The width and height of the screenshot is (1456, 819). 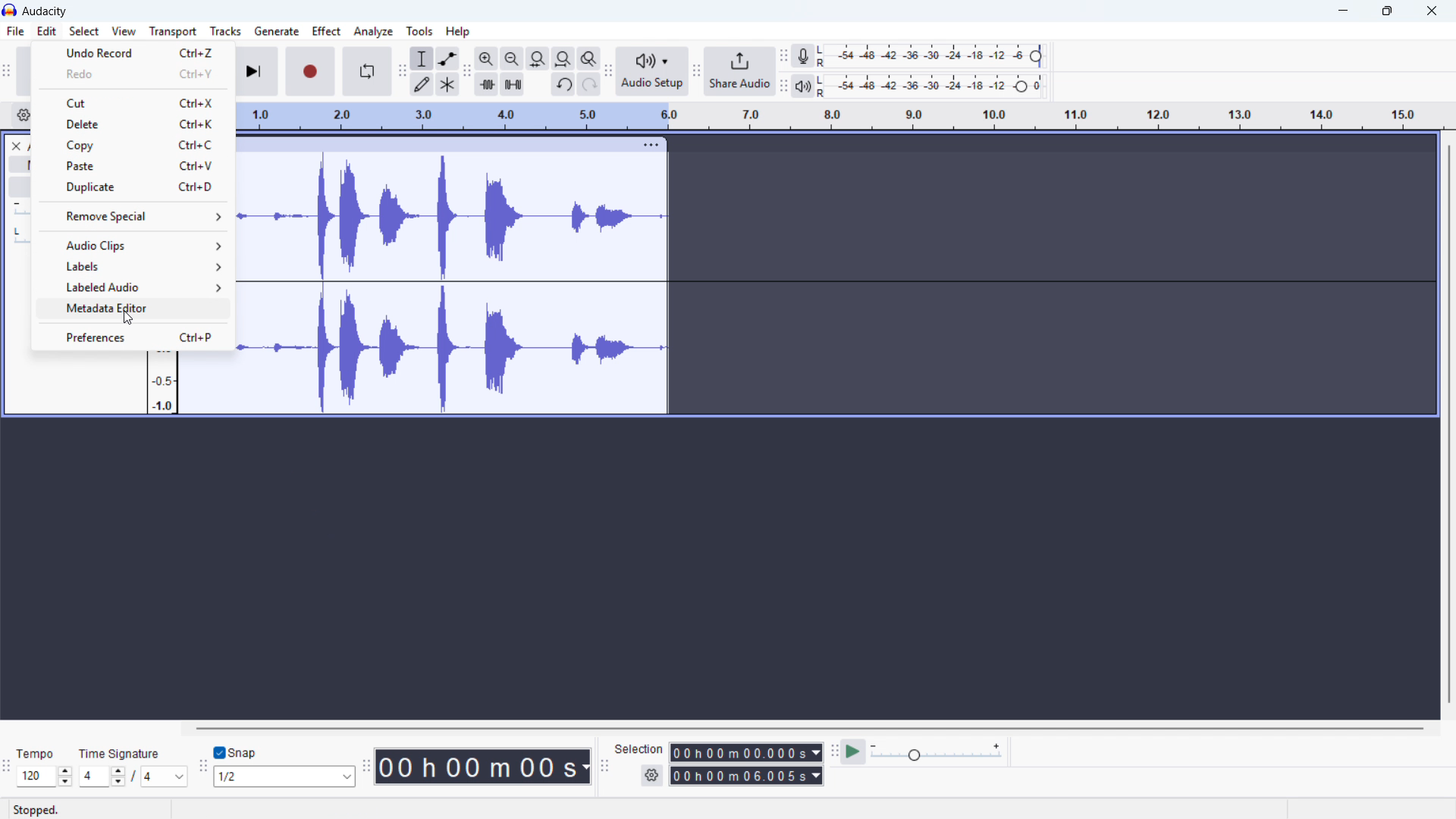 What do you see at coordinates (130, 216) in the screenshot?
I see `remove special` at bounding box center [130, 216].